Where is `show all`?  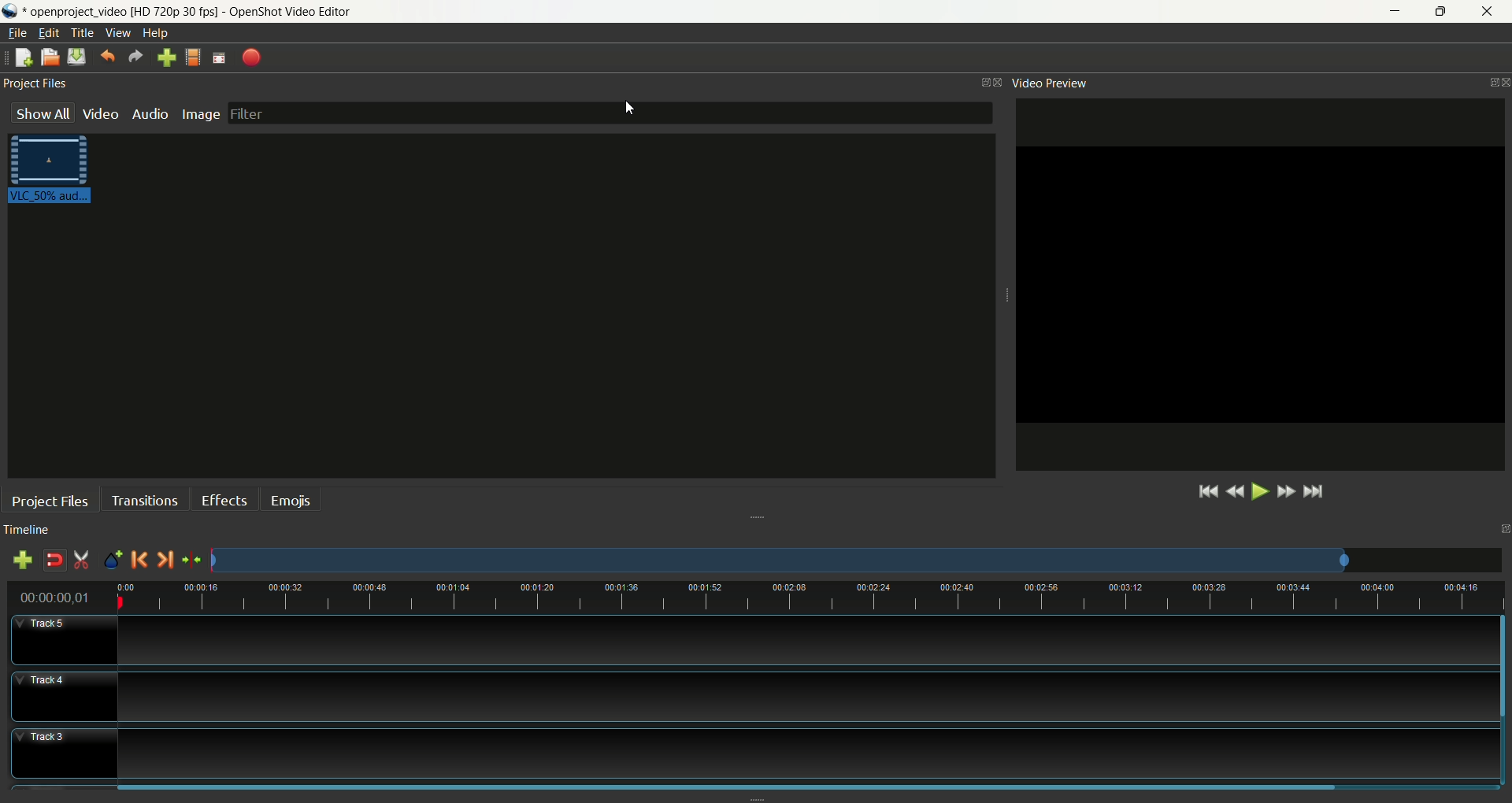 show all is located at coordinates (44, 117).